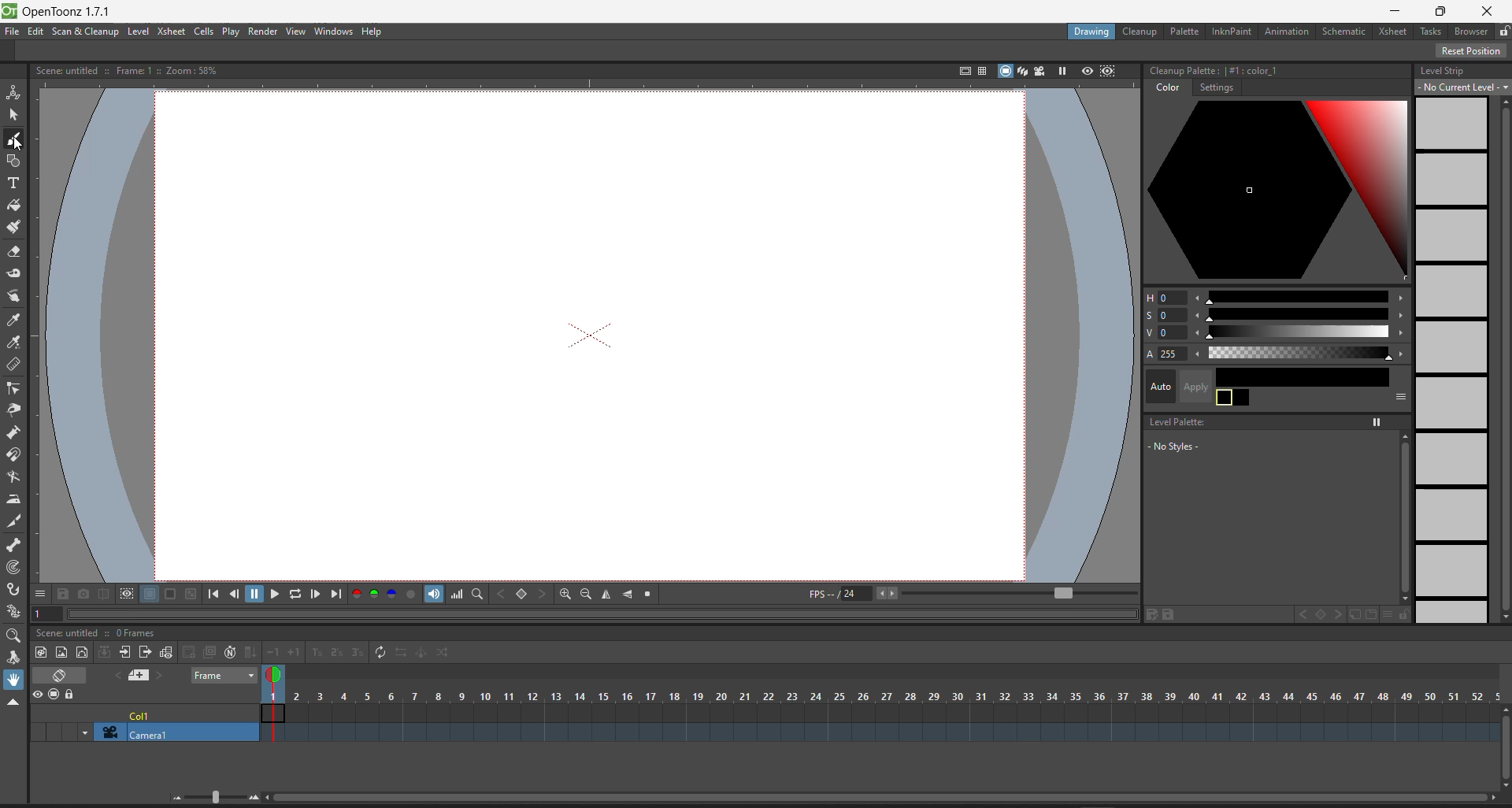 The image size is (1512, 808). Describe the element at coordinates (379, 651) in the screenshot. I see `repeat` at that location.